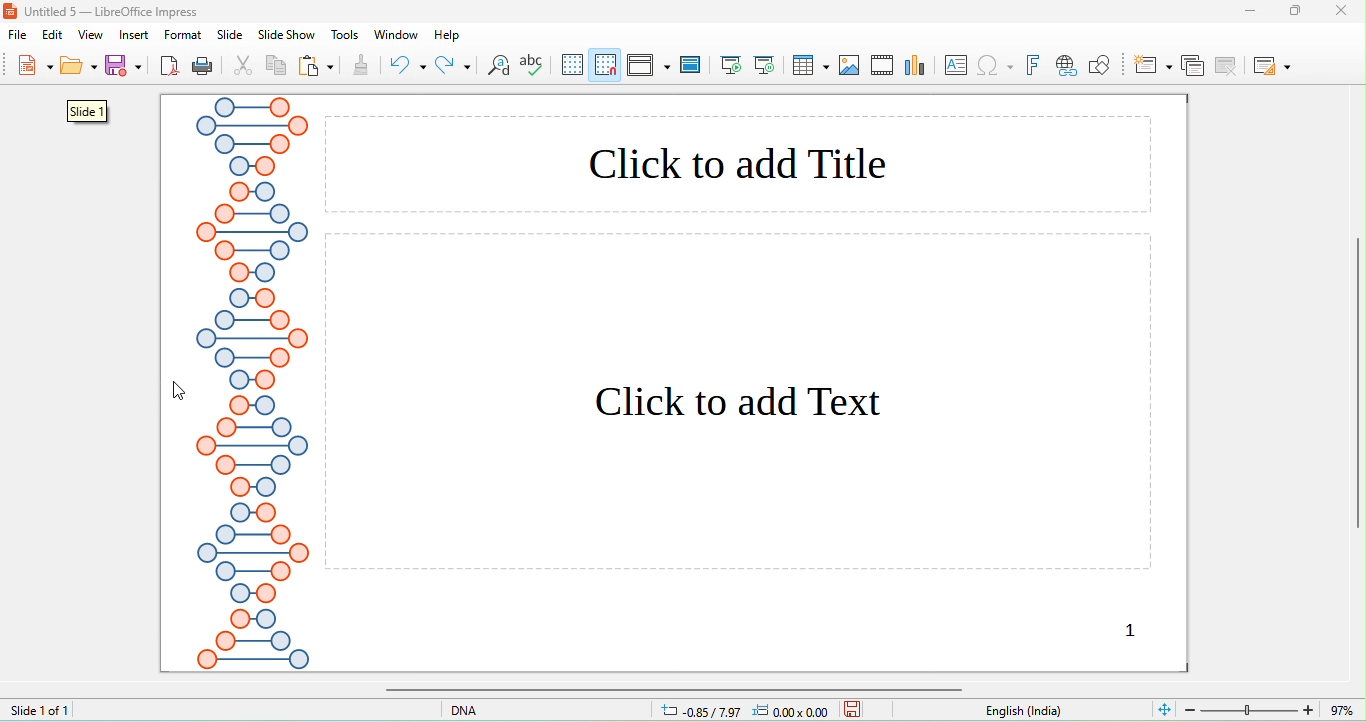 This screenshot has width=1366, height=722. Describe the element at coordinates (499, 68) in the screenshot. I see `find and replace` at that location.